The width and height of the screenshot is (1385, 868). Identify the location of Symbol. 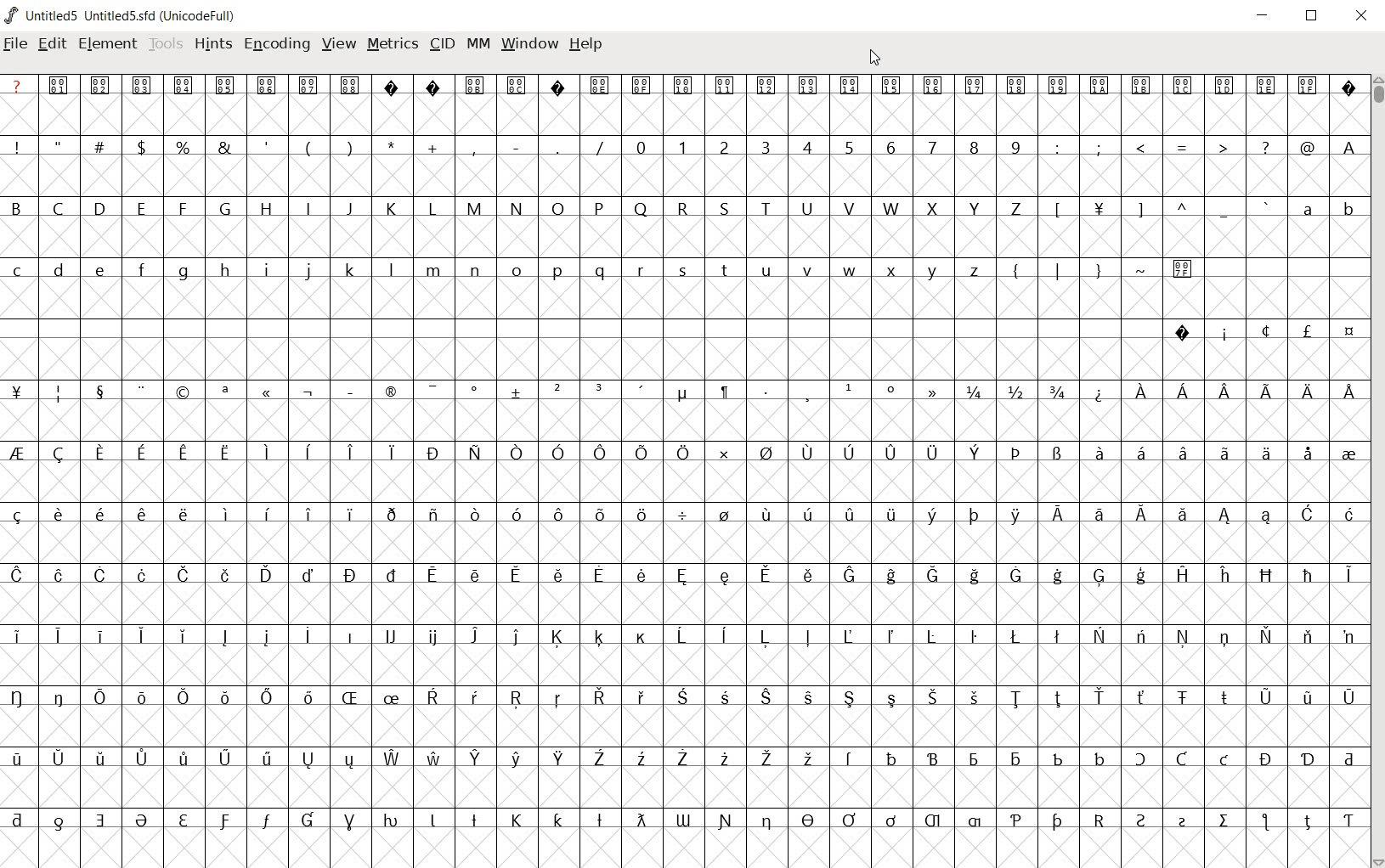
(309, 85).